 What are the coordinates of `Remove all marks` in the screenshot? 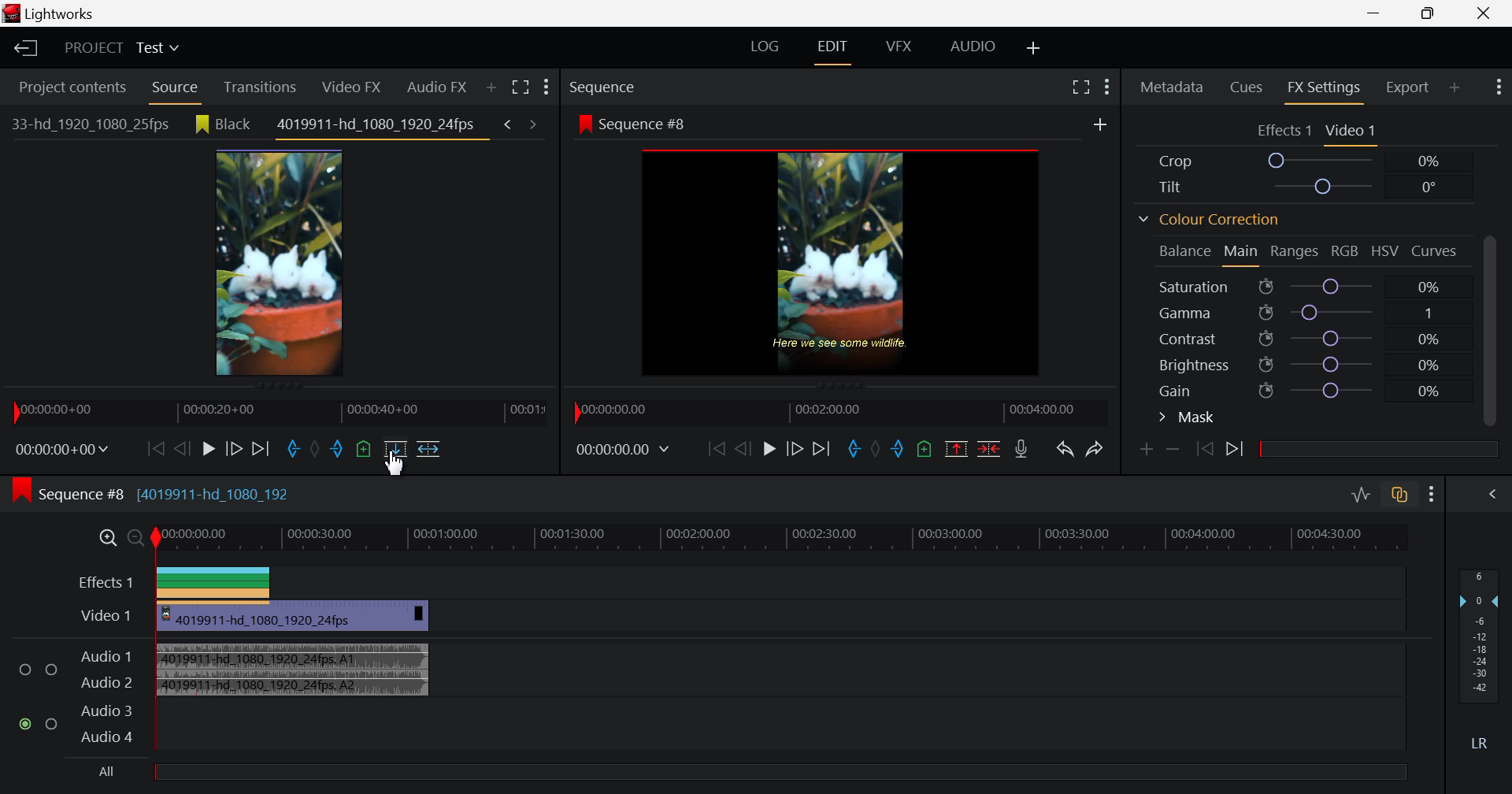 It's located at (317, 451).